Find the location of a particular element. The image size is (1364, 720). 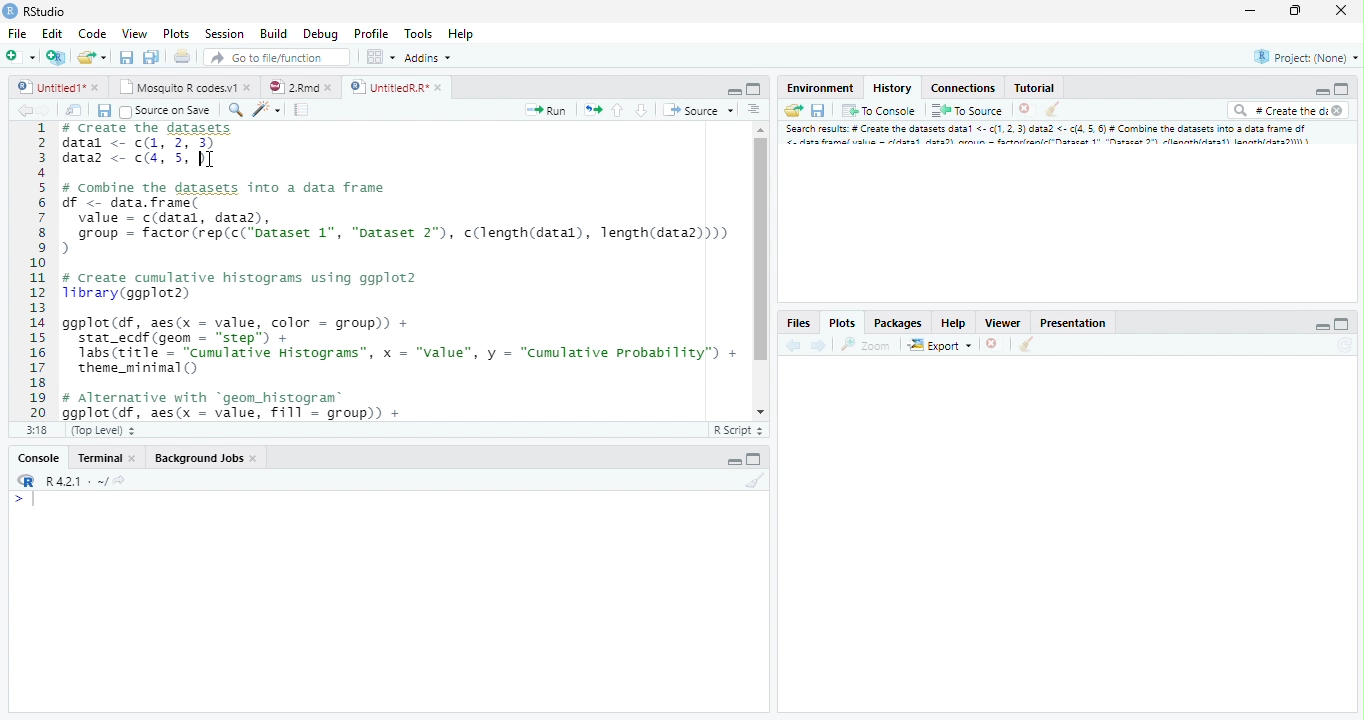

Environment is located at coordinates (819, 88).